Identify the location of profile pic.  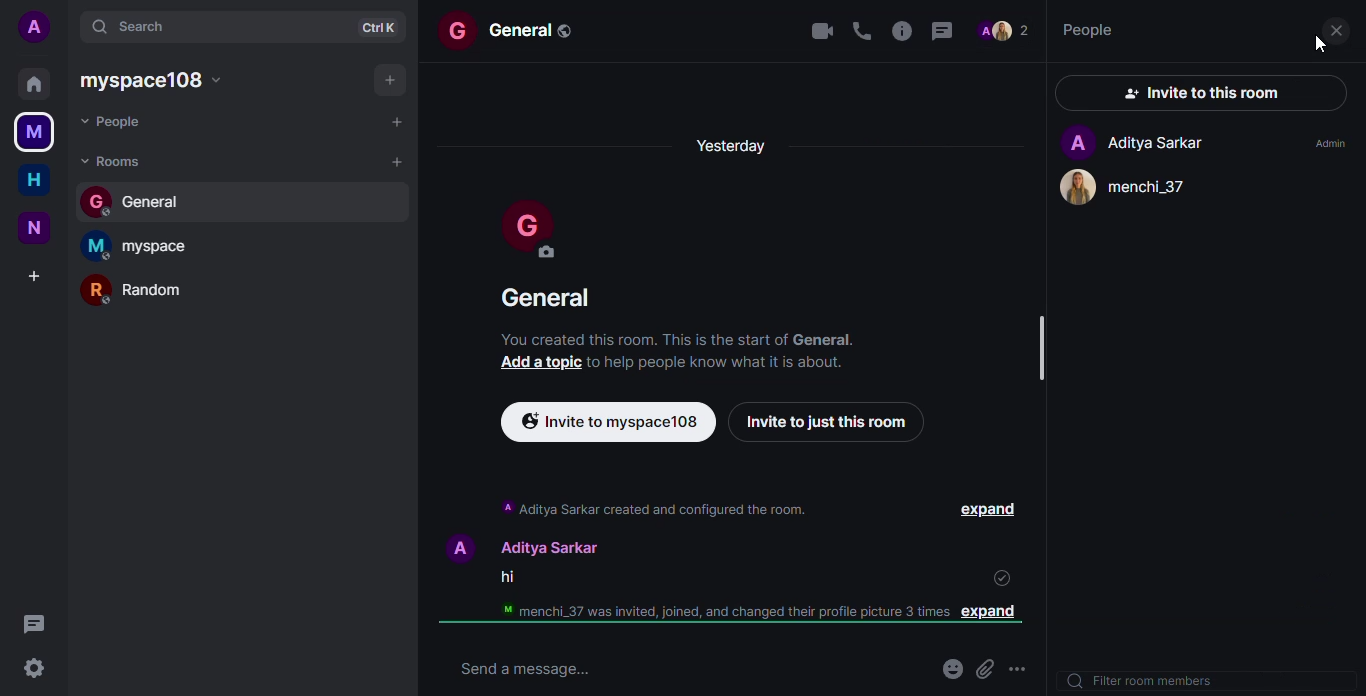
(535, 231).